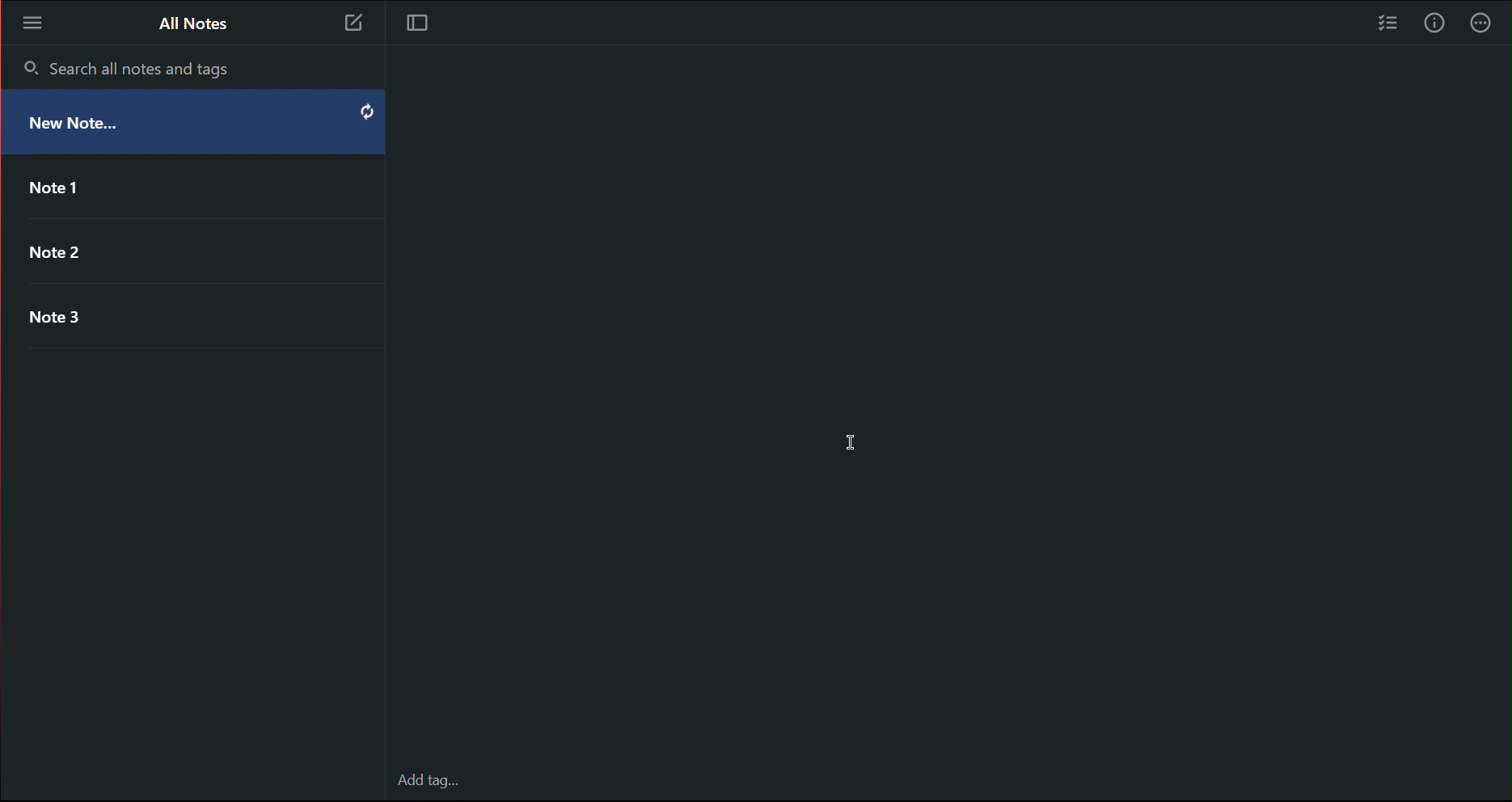 This screenshot has height=802, width=1512. Describe the element at coordinates (193, 125) in the screenshot. I see `New Note` at that location.